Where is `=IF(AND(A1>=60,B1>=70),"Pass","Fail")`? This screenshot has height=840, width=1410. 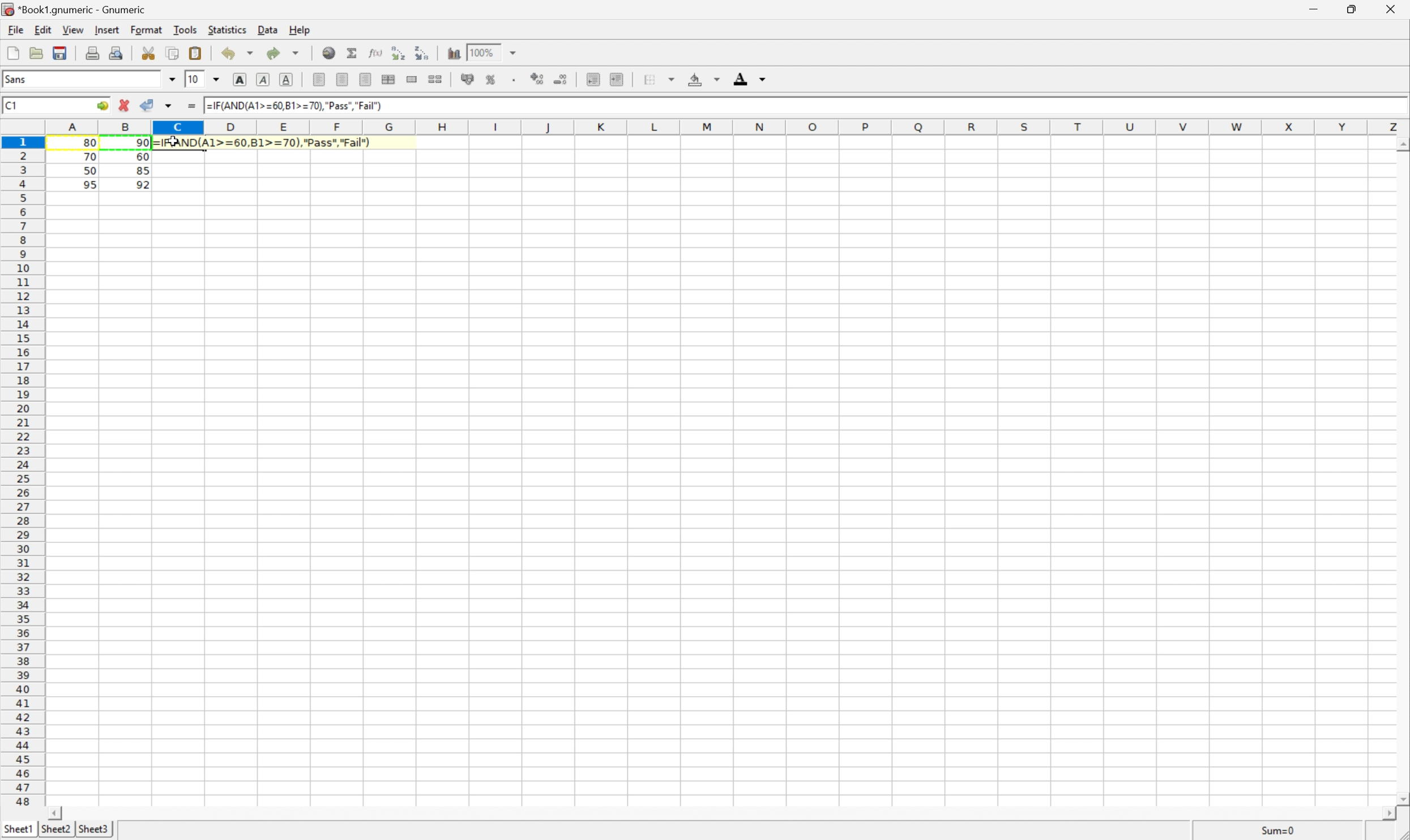
=IF(AND(A1>=60,B1>=70),"Pass","Fail") is located at coordinates (296, 105).